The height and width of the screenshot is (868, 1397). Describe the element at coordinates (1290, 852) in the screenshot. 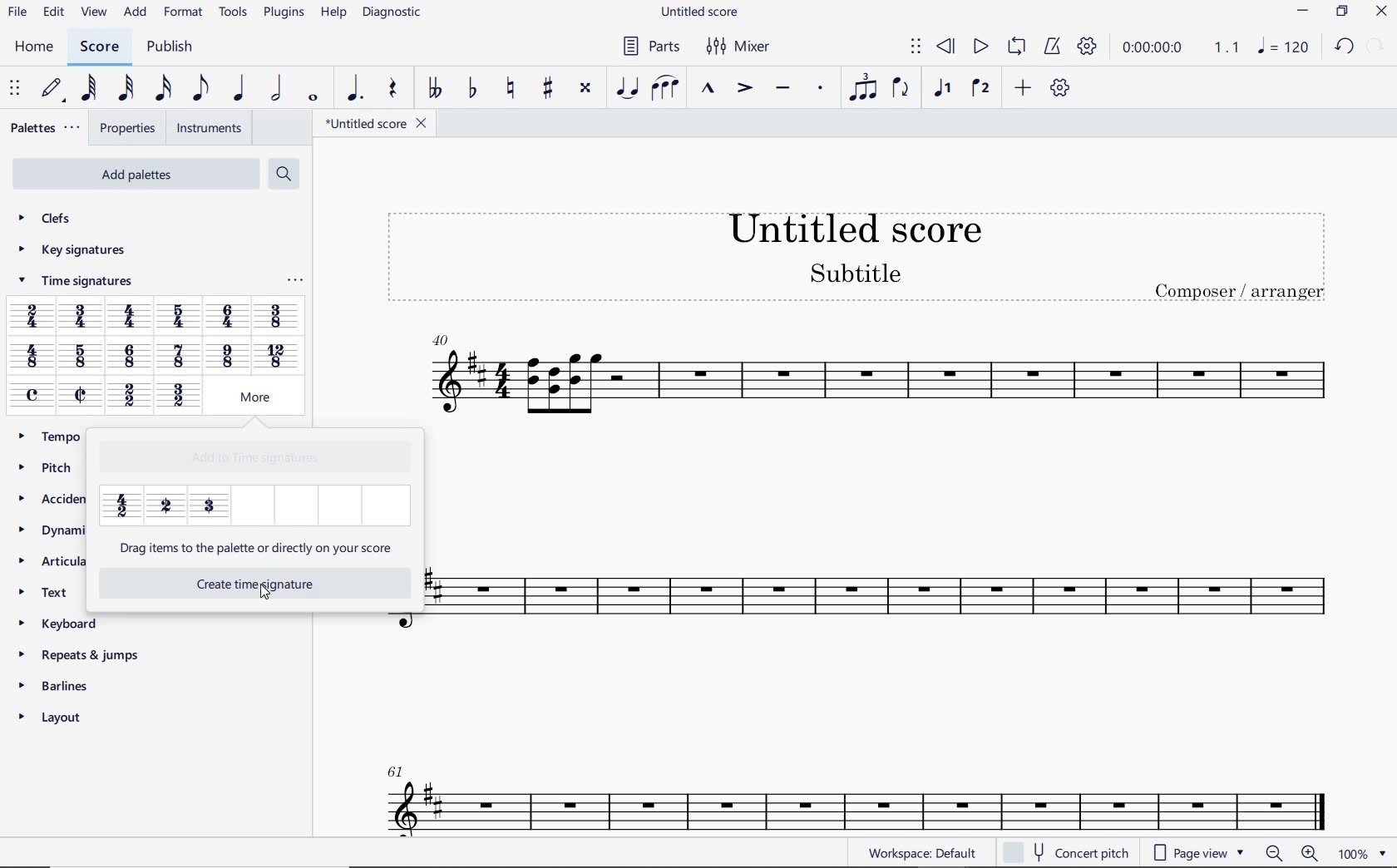

I see `ZOOM OUT OR ZOOM IN` at that location.